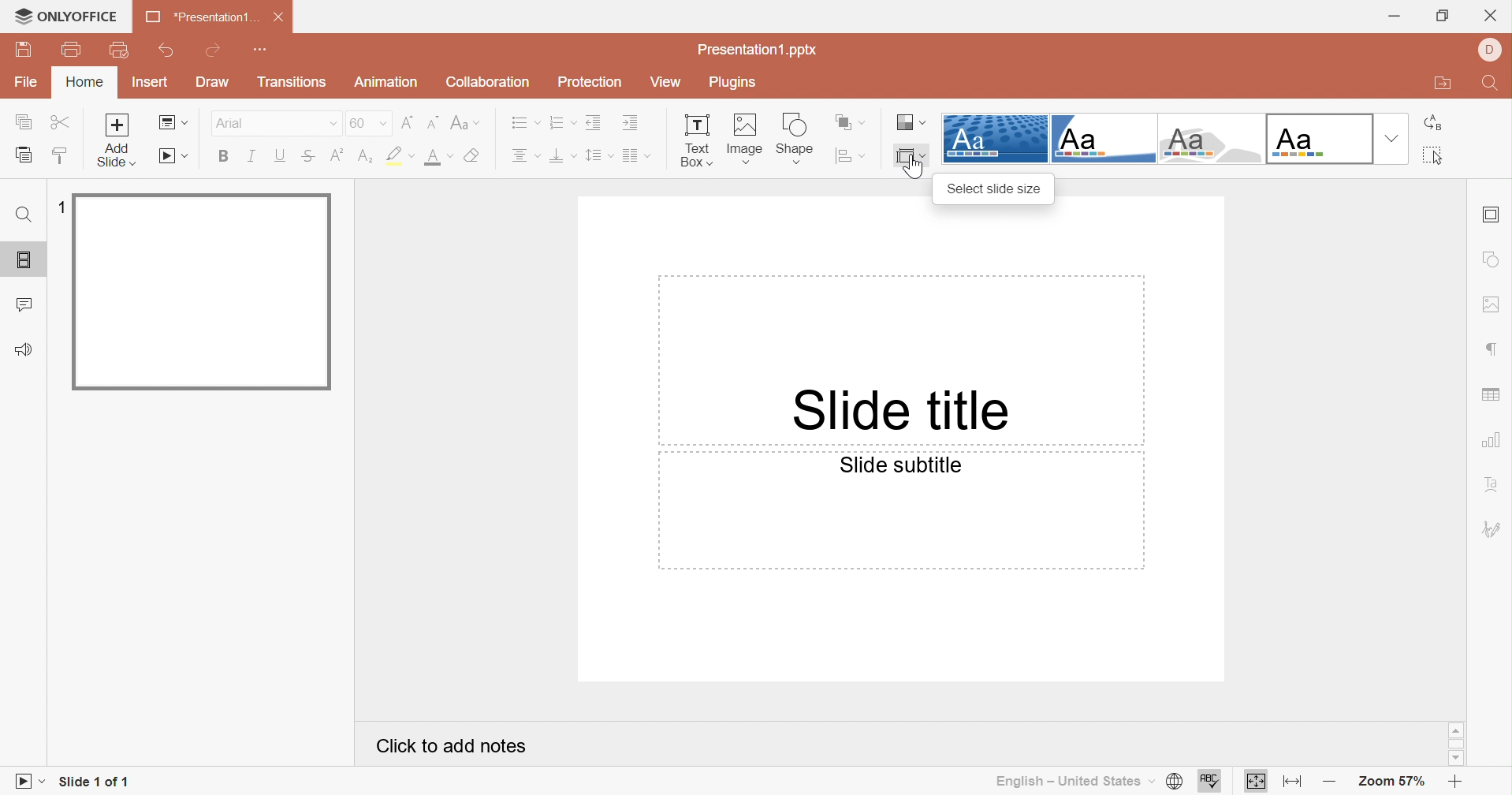 This screenshot has height=795, width=1512. What do you see at coordinates (560, 121) in the screenshot?
I see `Numbering` at bounding box center [560, 121].